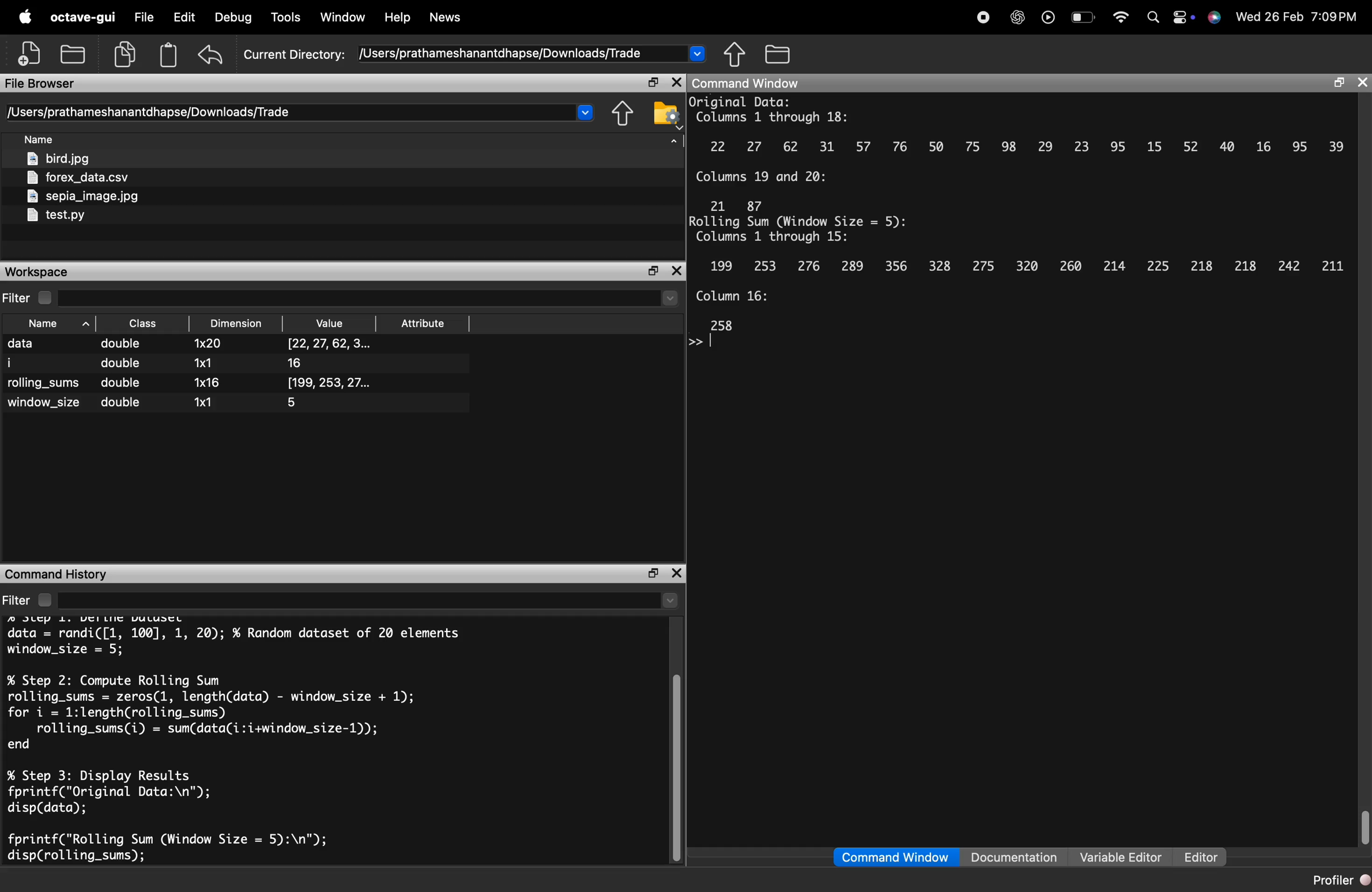 The height and width of the screenshot is (892, 1372). What do you see at coordinates (344, 18) in the screenshot?
I see `window` at bounding box center [344, 18].